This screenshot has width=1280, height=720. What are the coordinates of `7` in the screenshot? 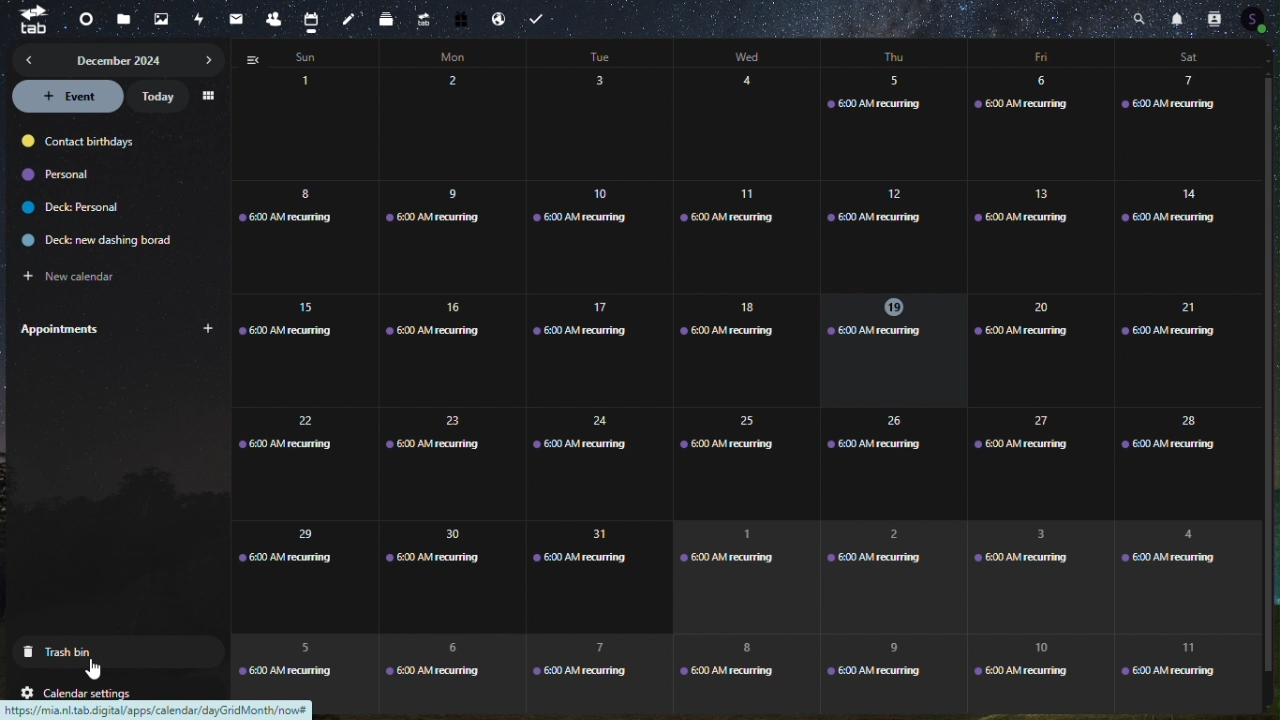 It's located at (586, 672).